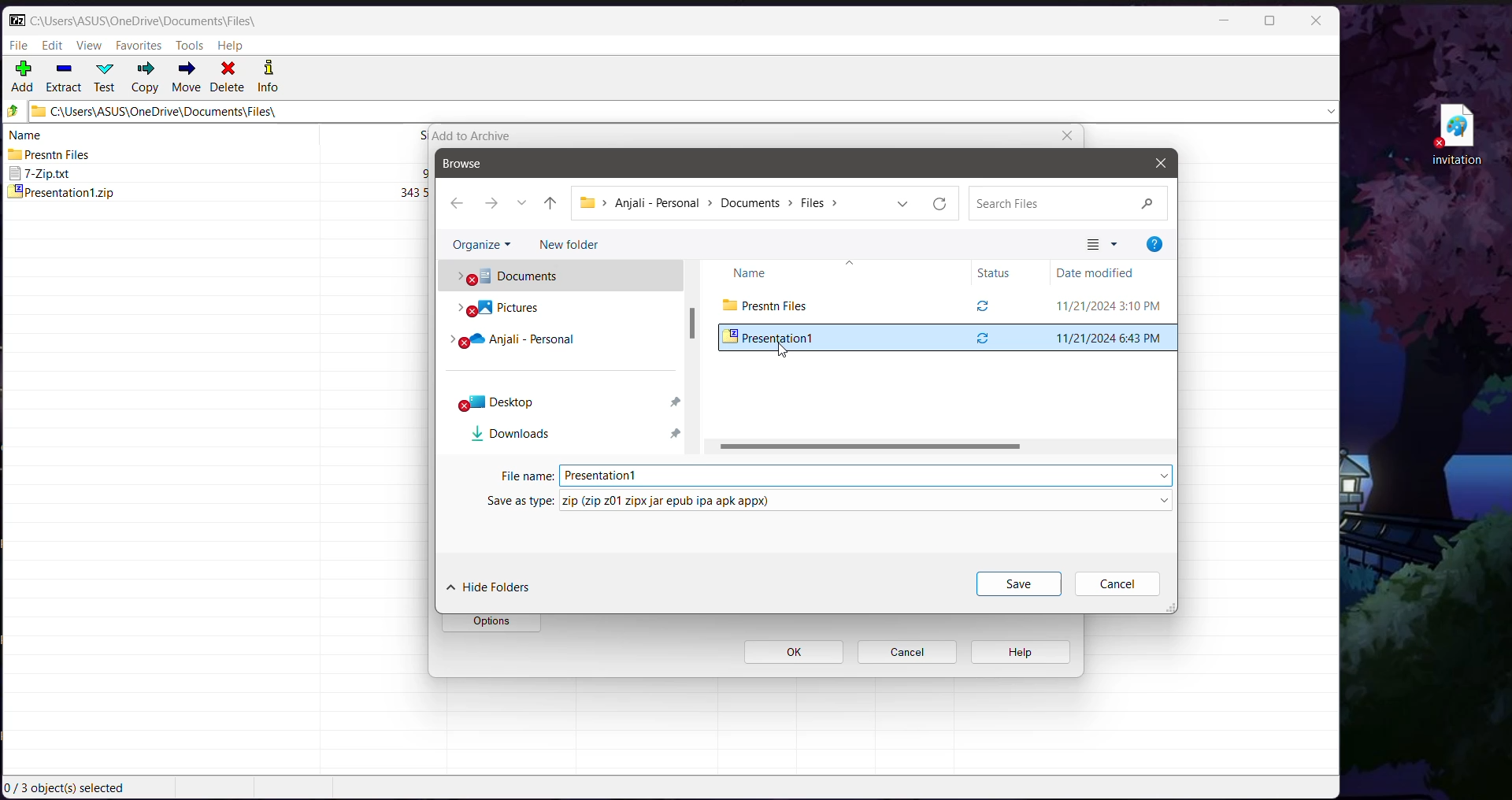 Image resolution: width=1512 pixels, height=800 pixels. Describe the element at coordinates (1067, 203) in the screenshot. I see `Search` at that location.